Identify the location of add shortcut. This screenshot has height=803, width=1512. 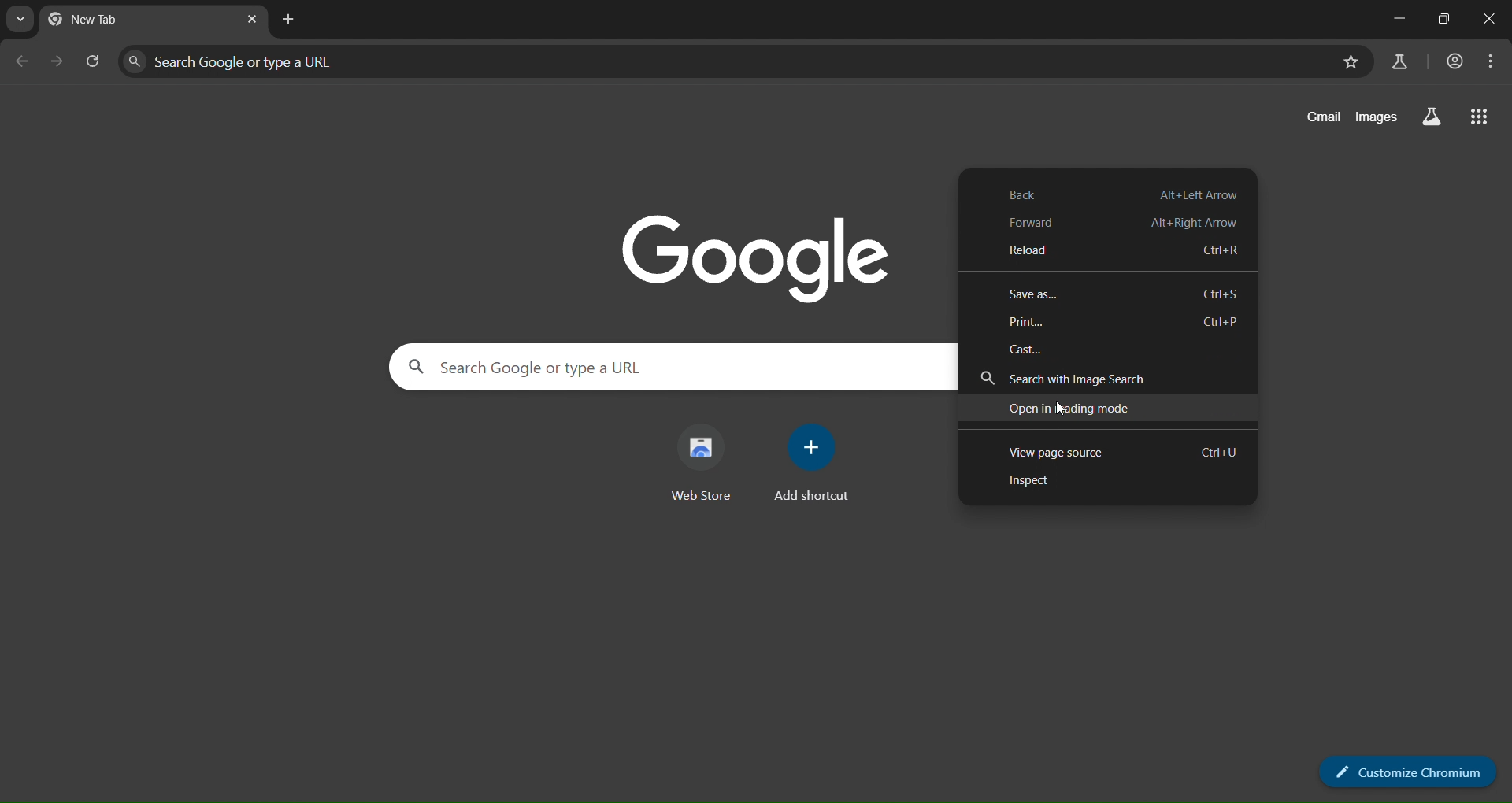
(816, 460).